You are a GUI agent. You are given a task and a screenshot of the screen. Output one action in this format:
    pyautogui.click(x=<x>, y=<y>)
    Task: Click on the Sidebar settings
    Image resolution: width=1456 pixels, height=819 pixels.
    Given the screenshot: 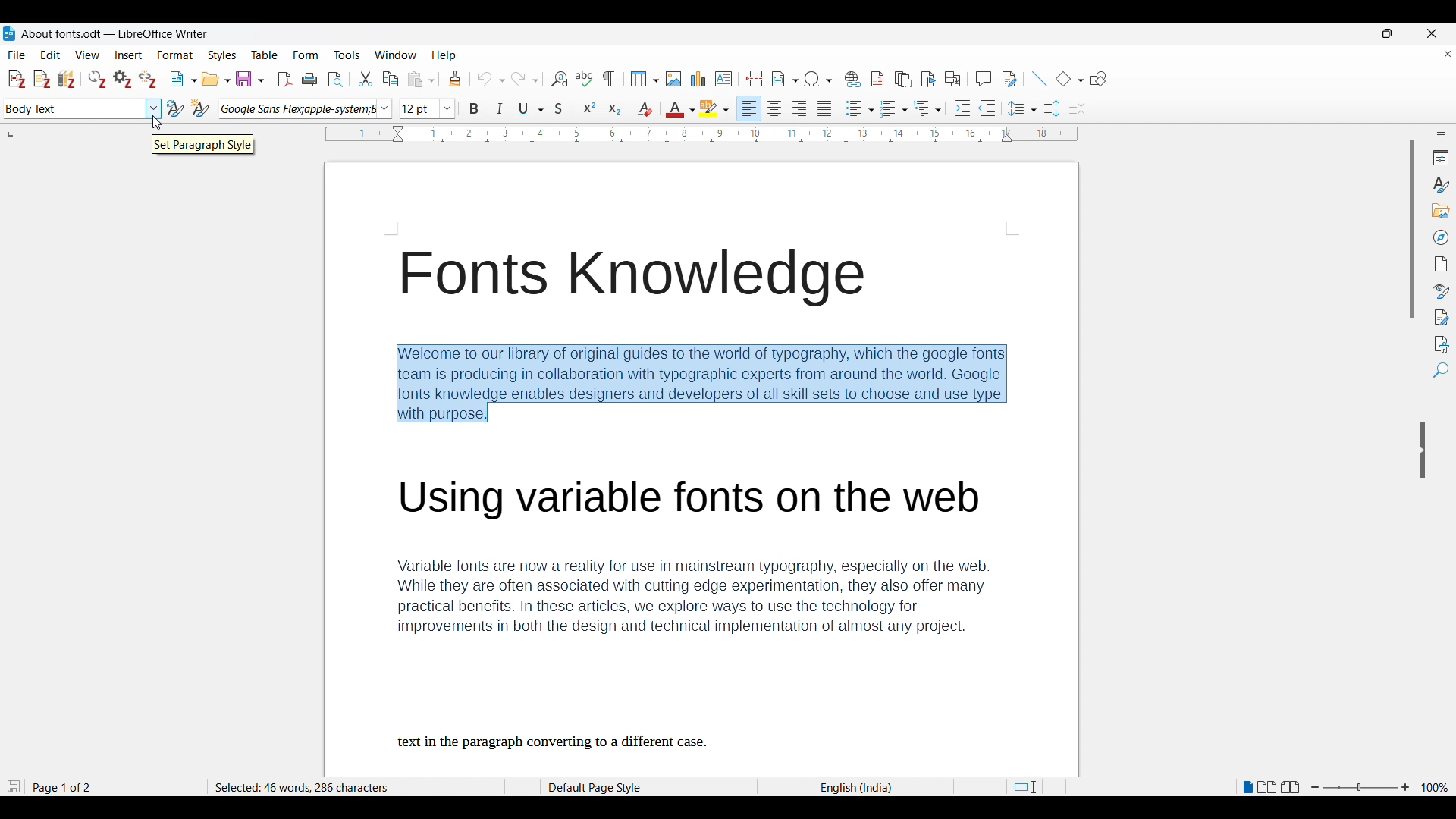 What is the action you would take?
    pyautogui.click(x=1441, y=134)
    